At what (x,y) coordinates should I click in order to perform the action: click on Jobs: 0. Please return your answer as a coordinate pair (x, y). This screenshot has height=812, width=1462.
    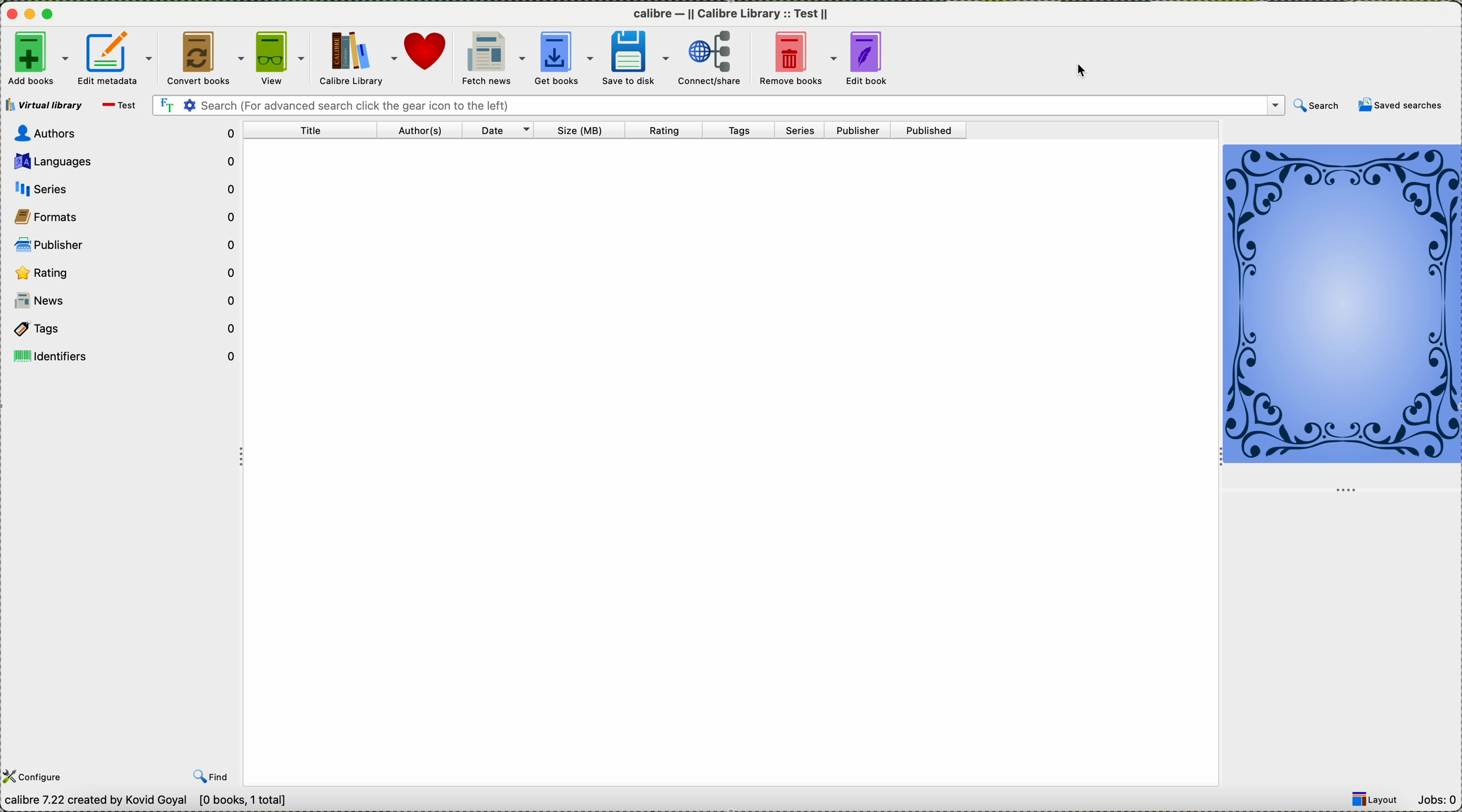
    Looking at the image, I should click on (1439, 800).